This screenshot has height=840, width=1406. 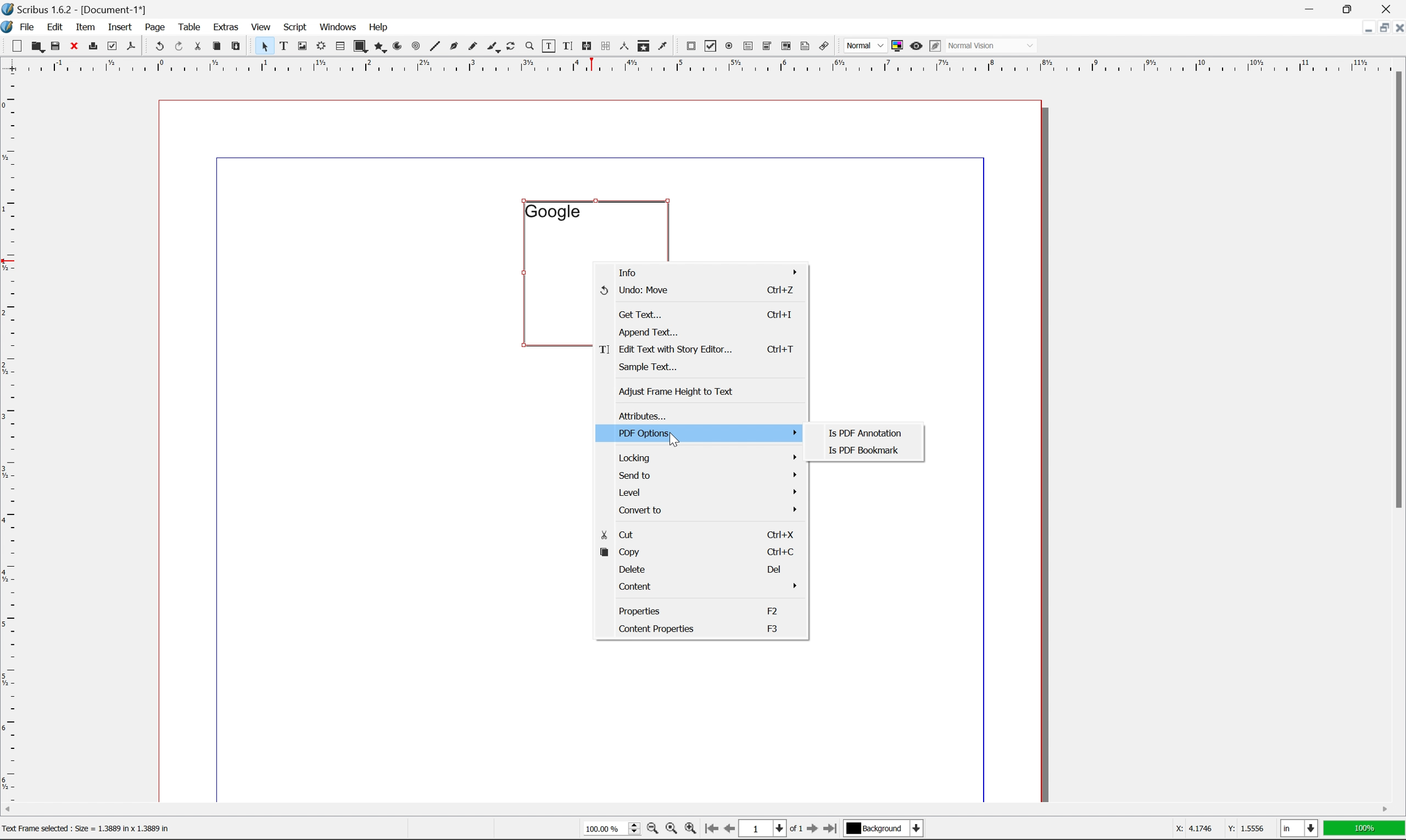 What do you see at coordinates (663, 45) in the screenshot?
I see `eye dropper` at bounding box center [663, 45].